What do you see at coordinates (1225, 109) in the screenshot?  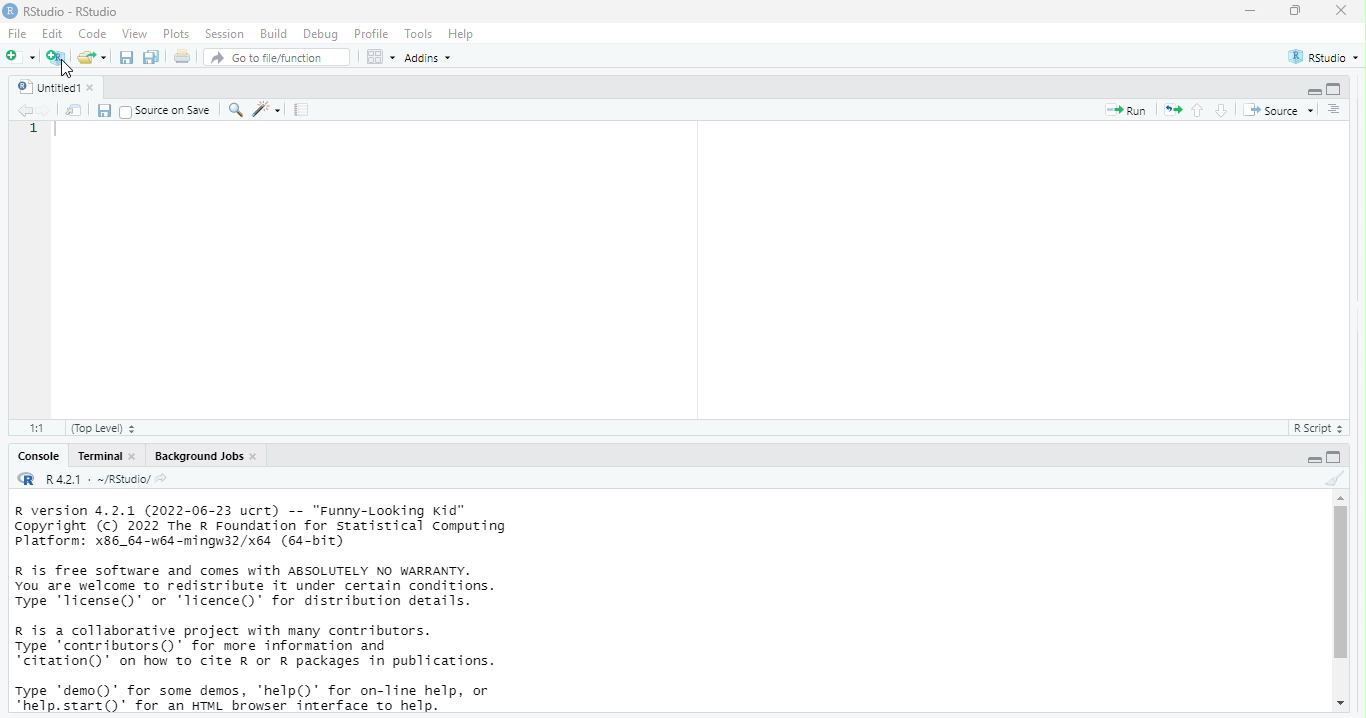 I see `go to next section/chunk` at bounding box center [1225, 109].